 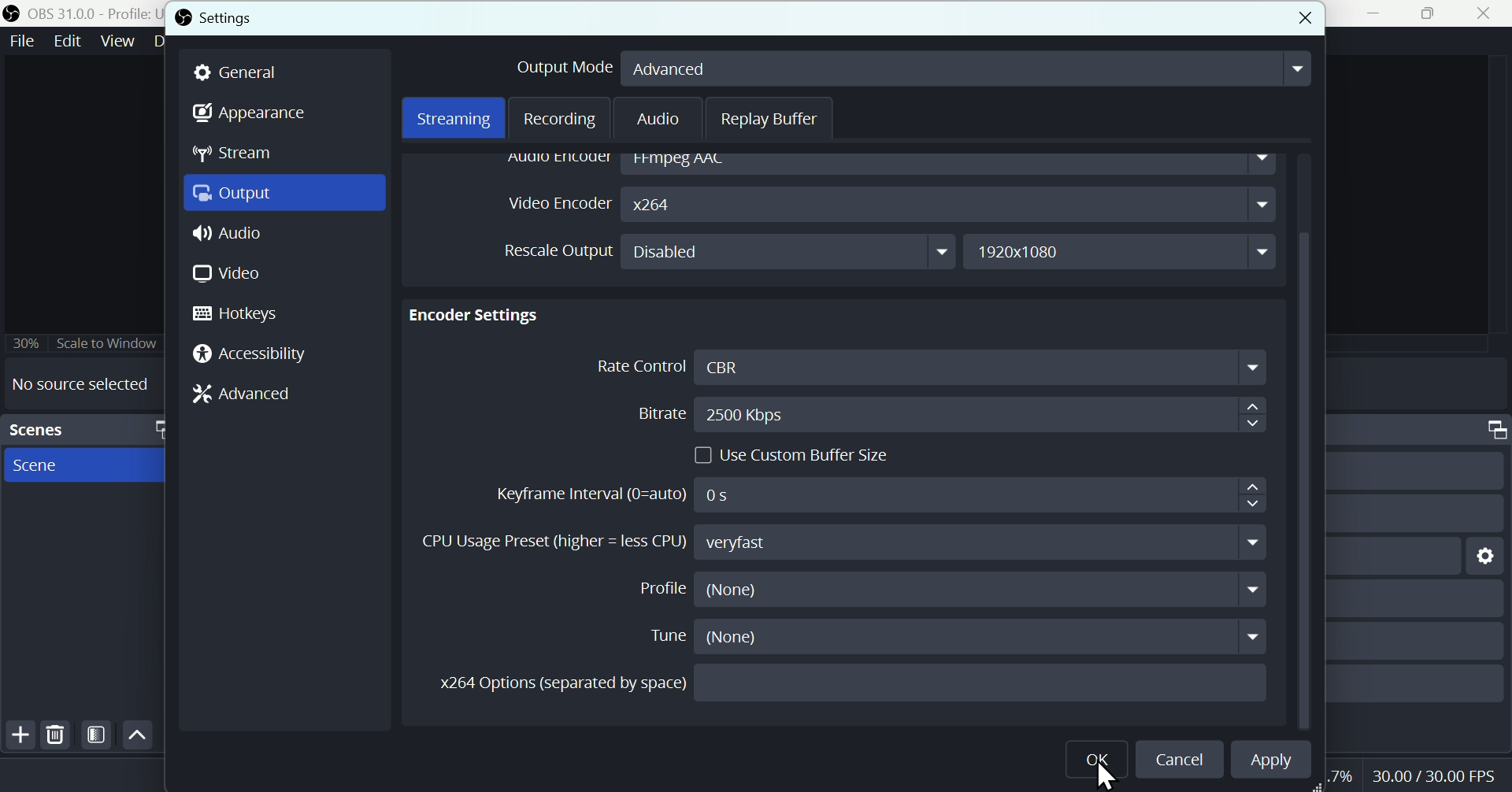 What do you see at coordinates (234, 152) in the screenshot?
I see `stream` at bounding box center [234, 152].